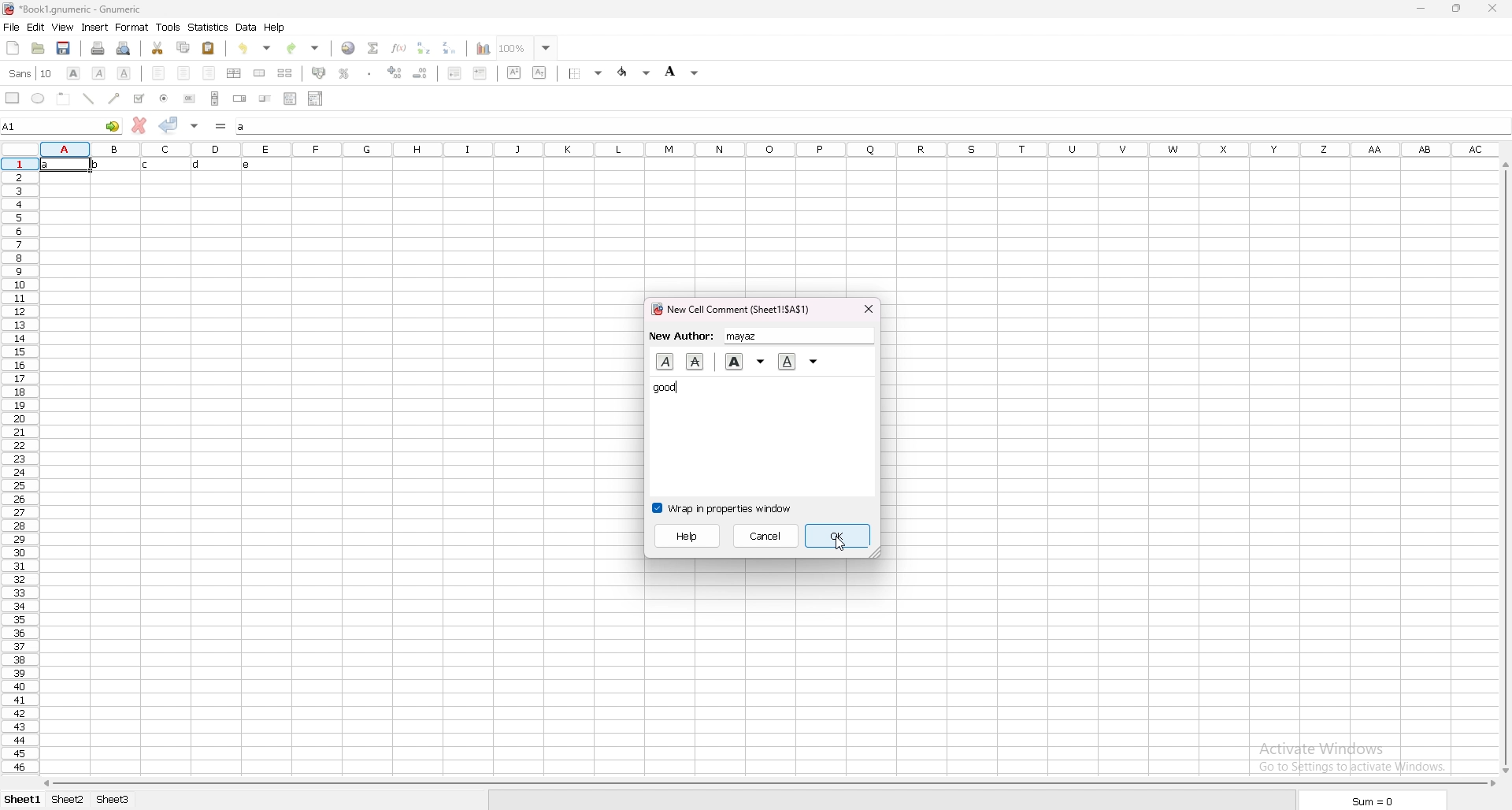 This screenshot has width=1512, height=810. Describe the element at coordinates (515, 73) in the screenshot. I see `superscript` at that location.